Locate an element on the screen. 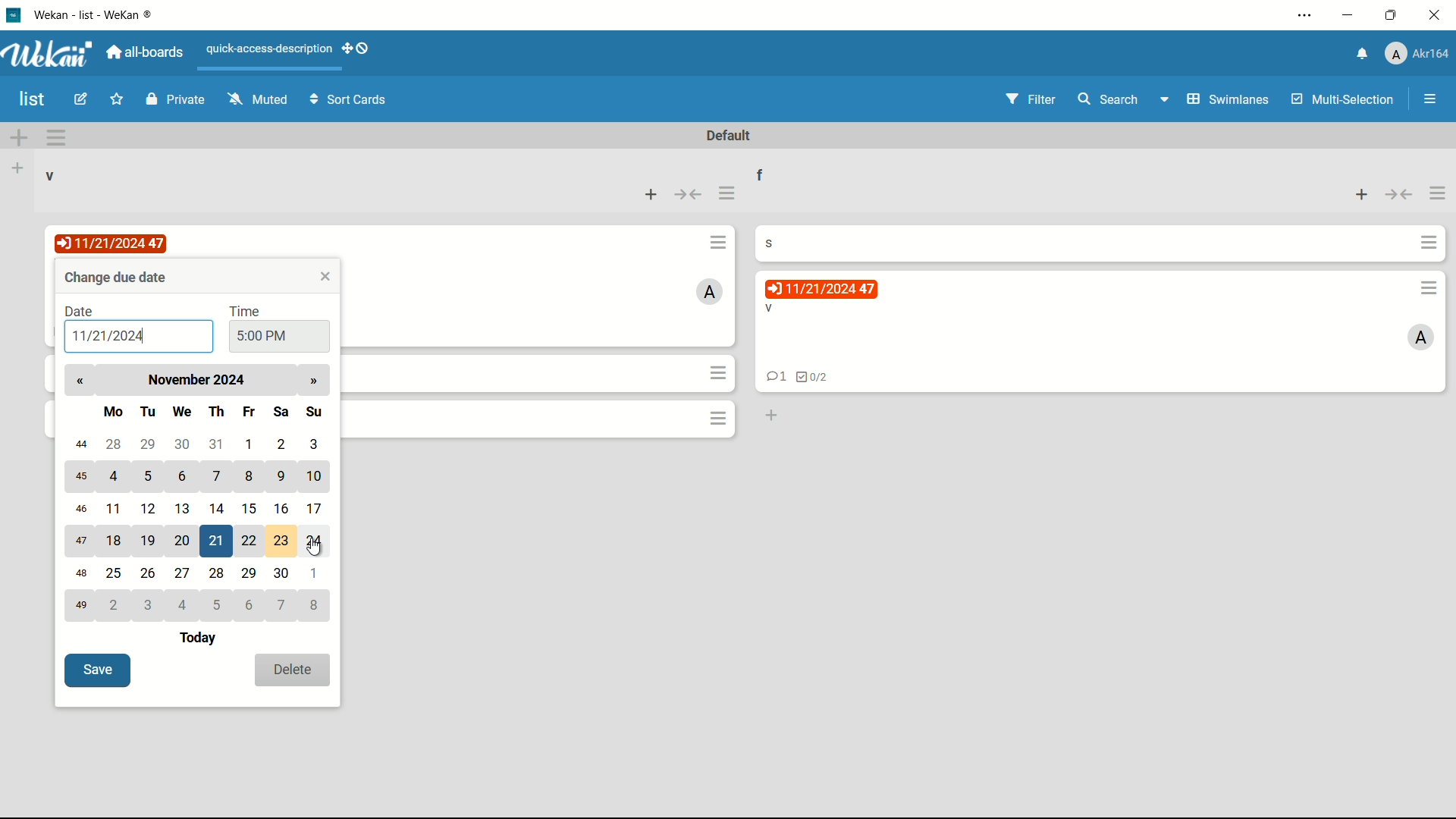  add list is located at coordinates (20, 168).